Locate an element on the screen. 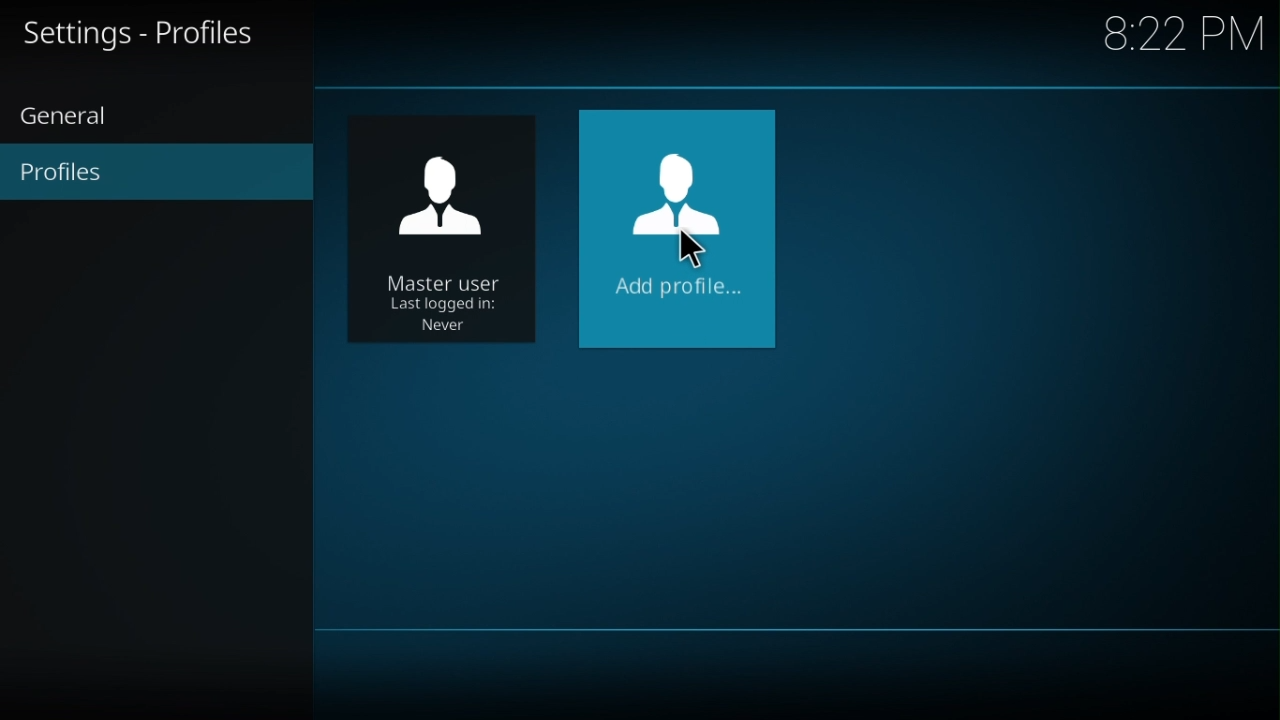 The height and width of the screenshot is (720, 1280). time is located at coordinates (1188, 30).